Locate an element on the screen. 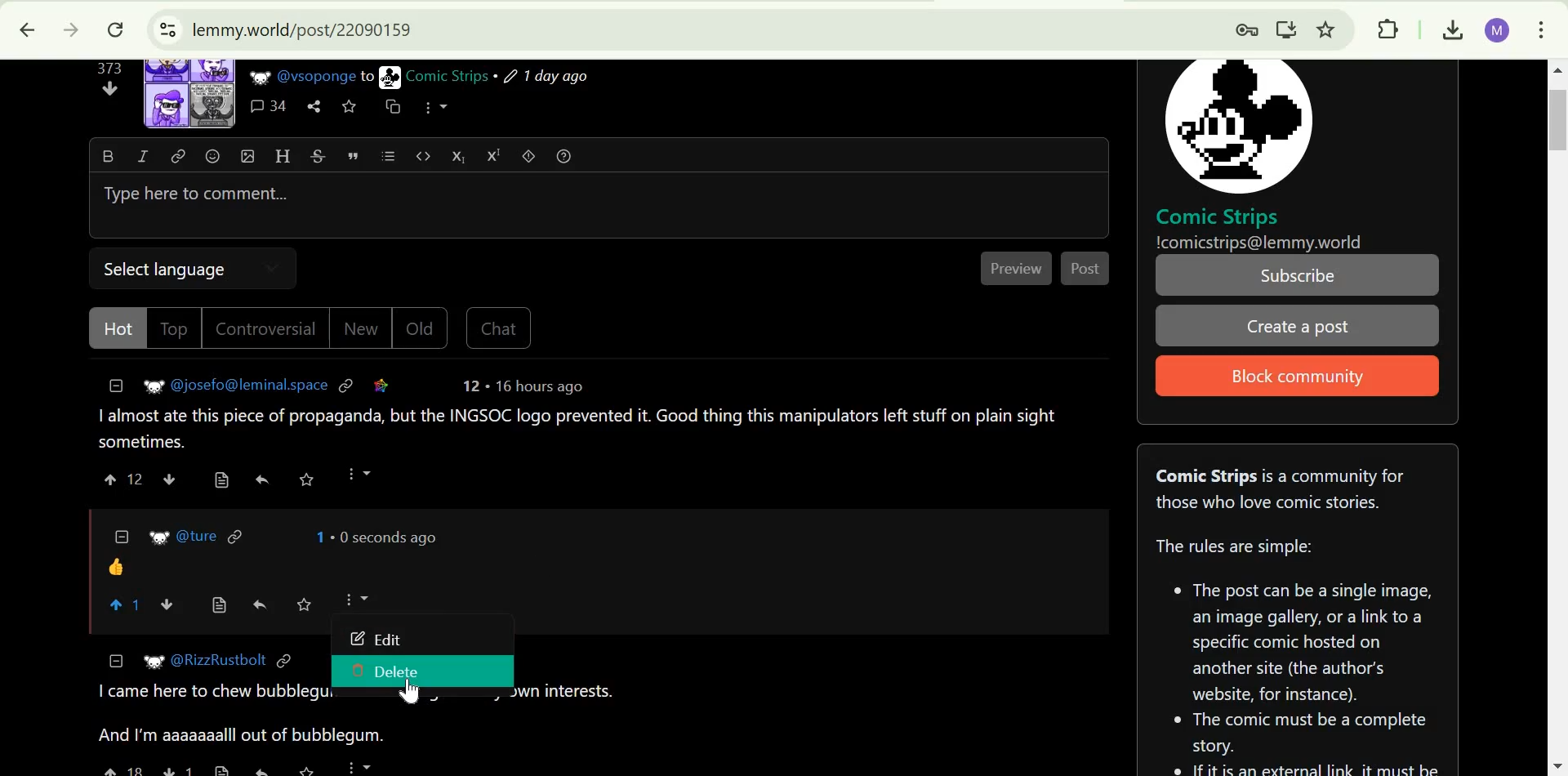 The width and height of the screenshot is (1568, 776). link is located at coordinates (179, 155).